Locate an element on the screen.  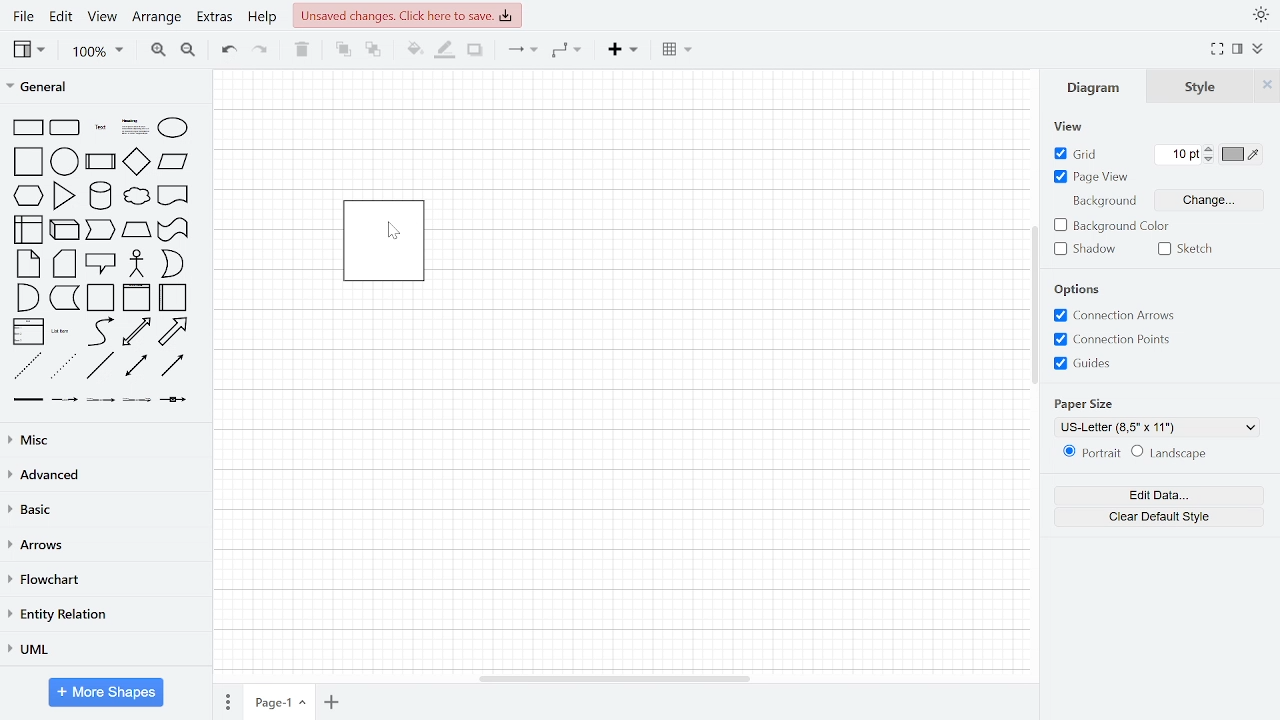
process is located at coordinates (101, 162).